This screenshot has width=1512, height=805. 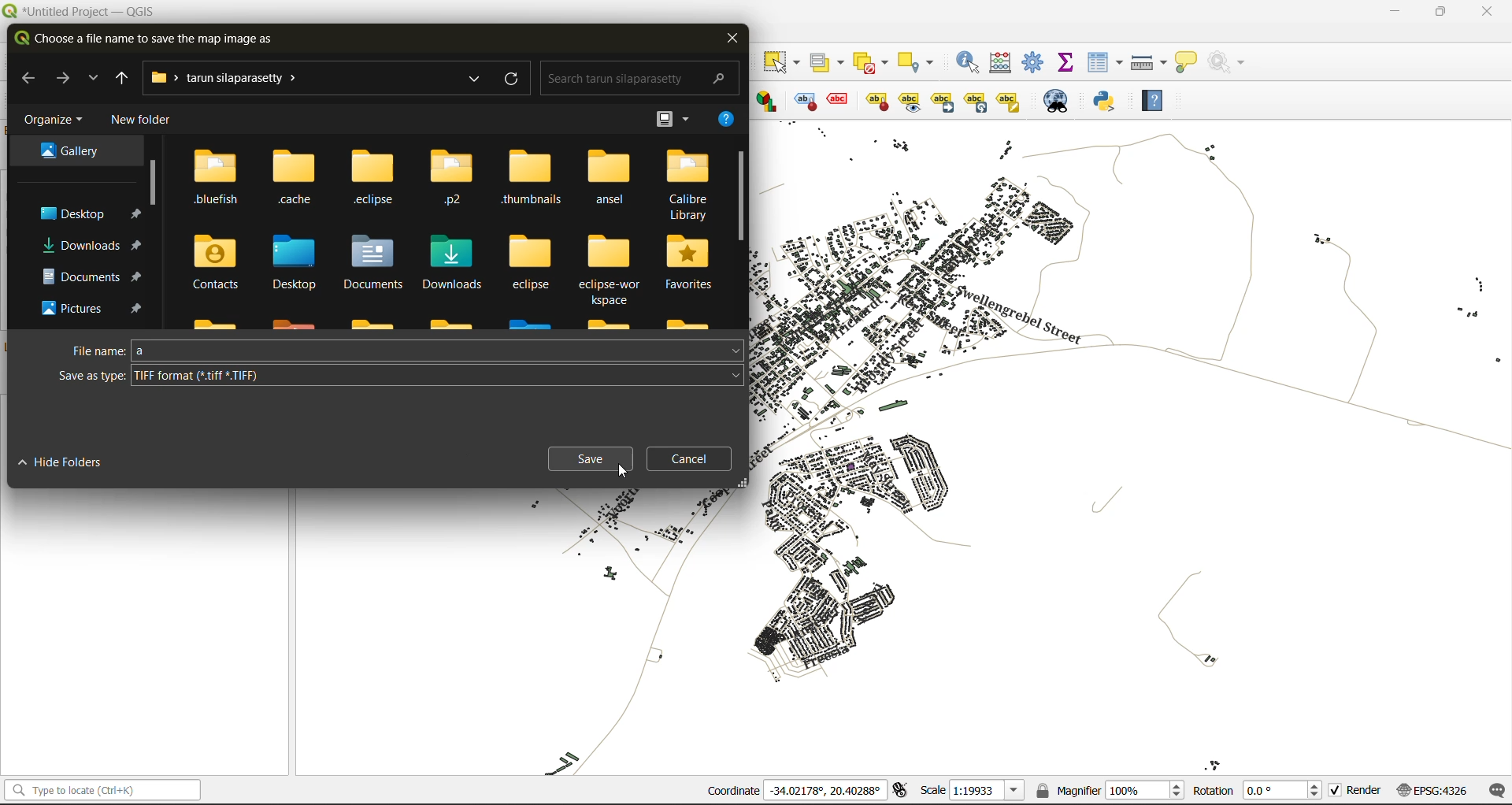 What do you see at coordinates (1428, 788) in the screenshot?
I see `crs` at bounding box center [1428, 788].